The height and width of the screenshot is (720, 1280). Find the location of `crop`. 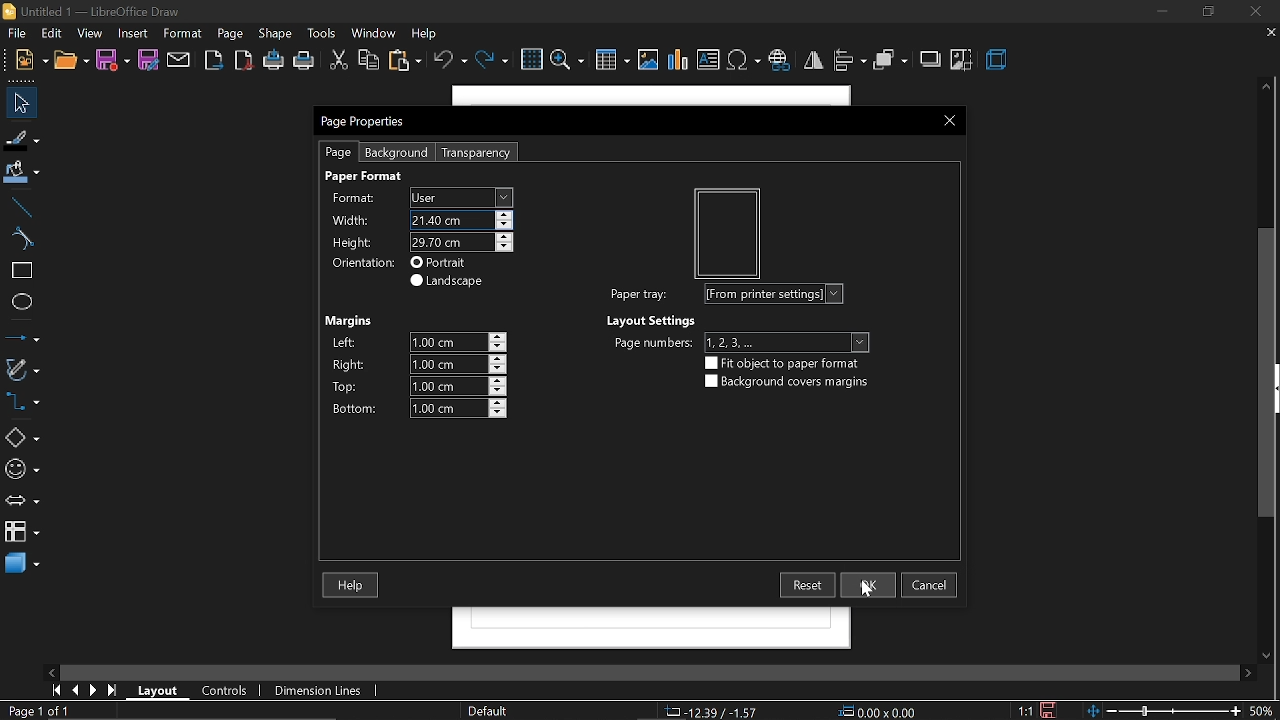

crop is located at coordinates (961, 62).